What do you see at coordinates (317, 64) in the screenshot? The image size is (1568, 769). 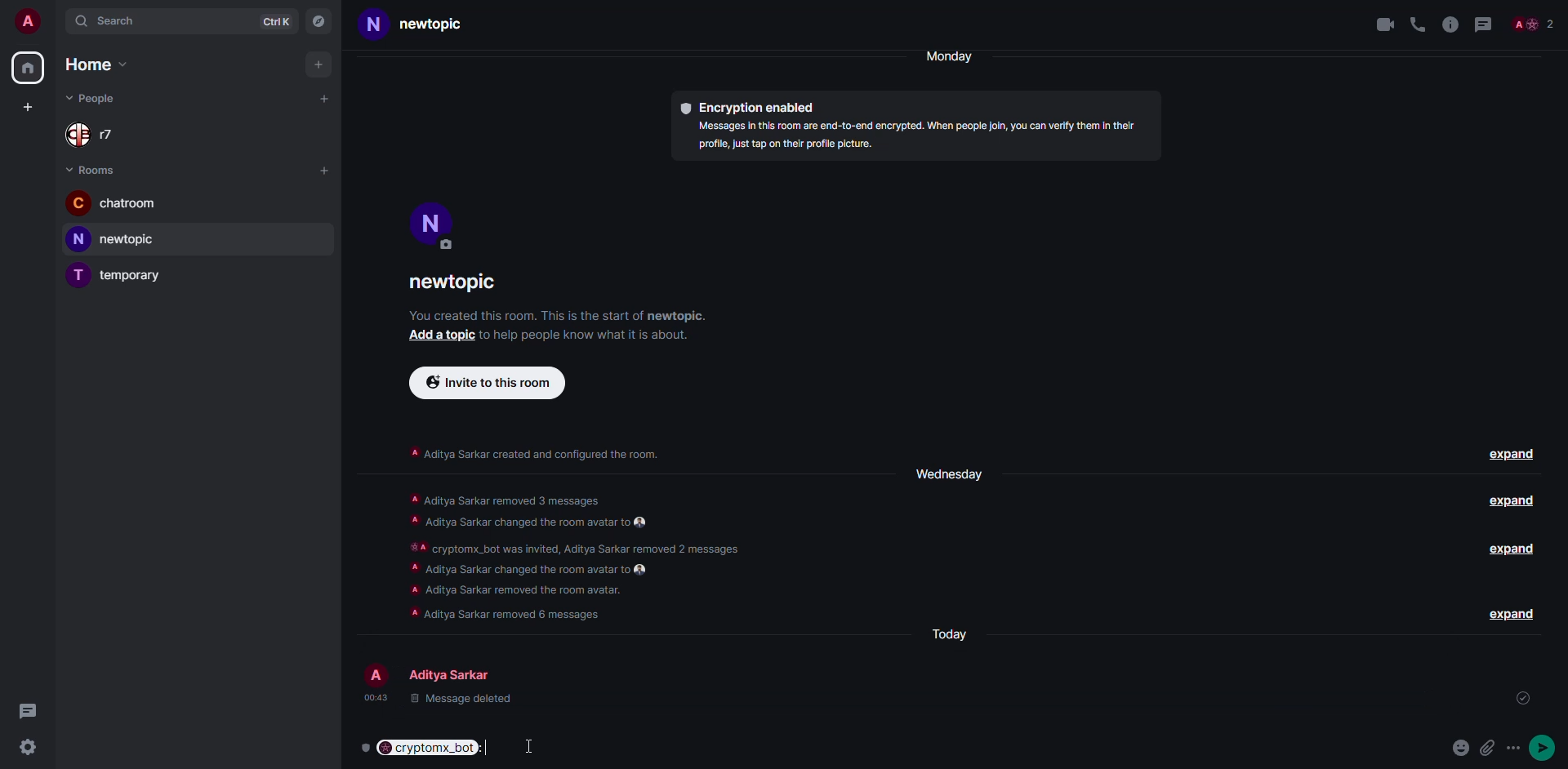 I see `add` at bounding box center [317, 64].